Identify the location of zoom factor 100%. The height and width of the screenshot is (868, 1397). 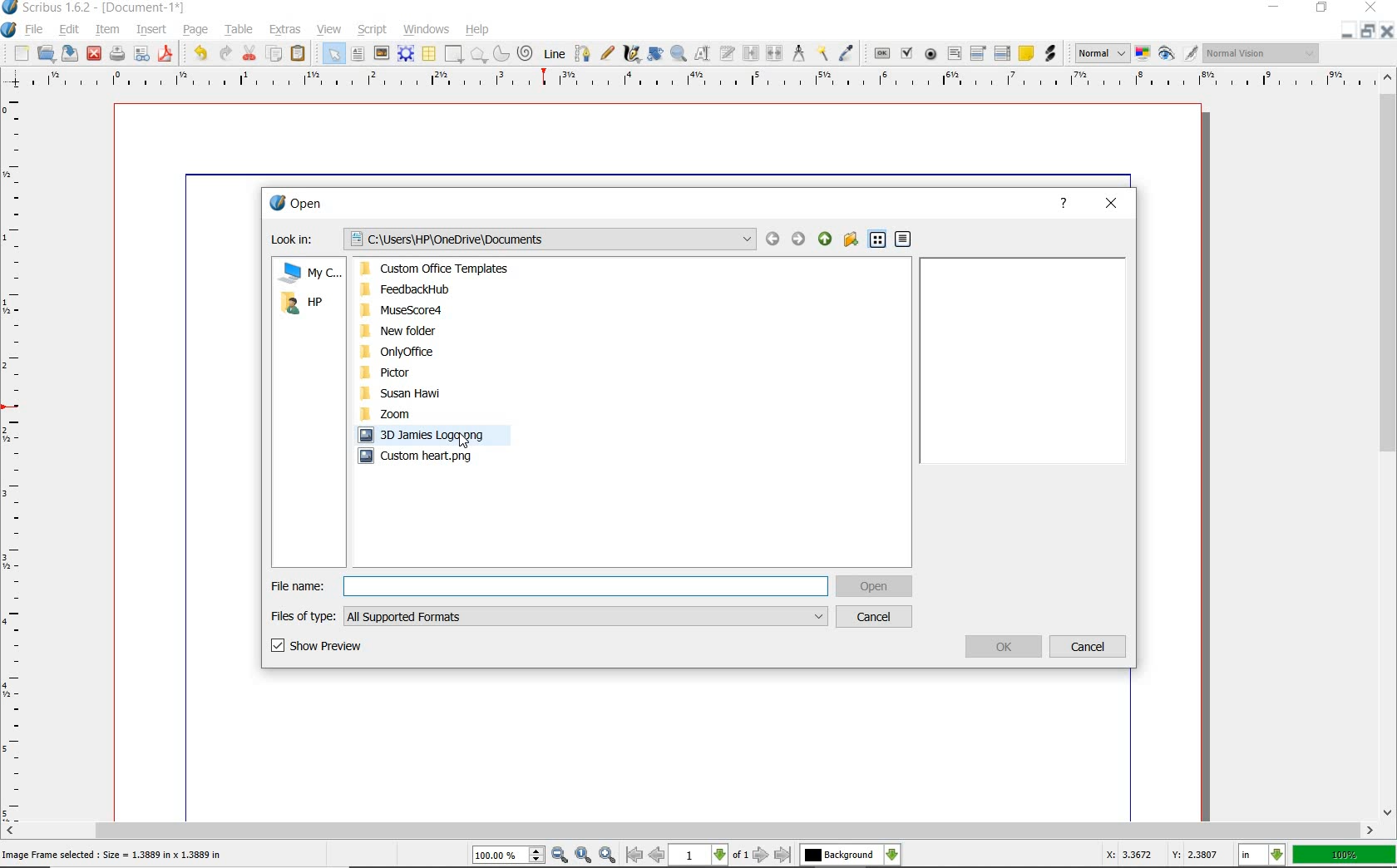
(1345, 854).